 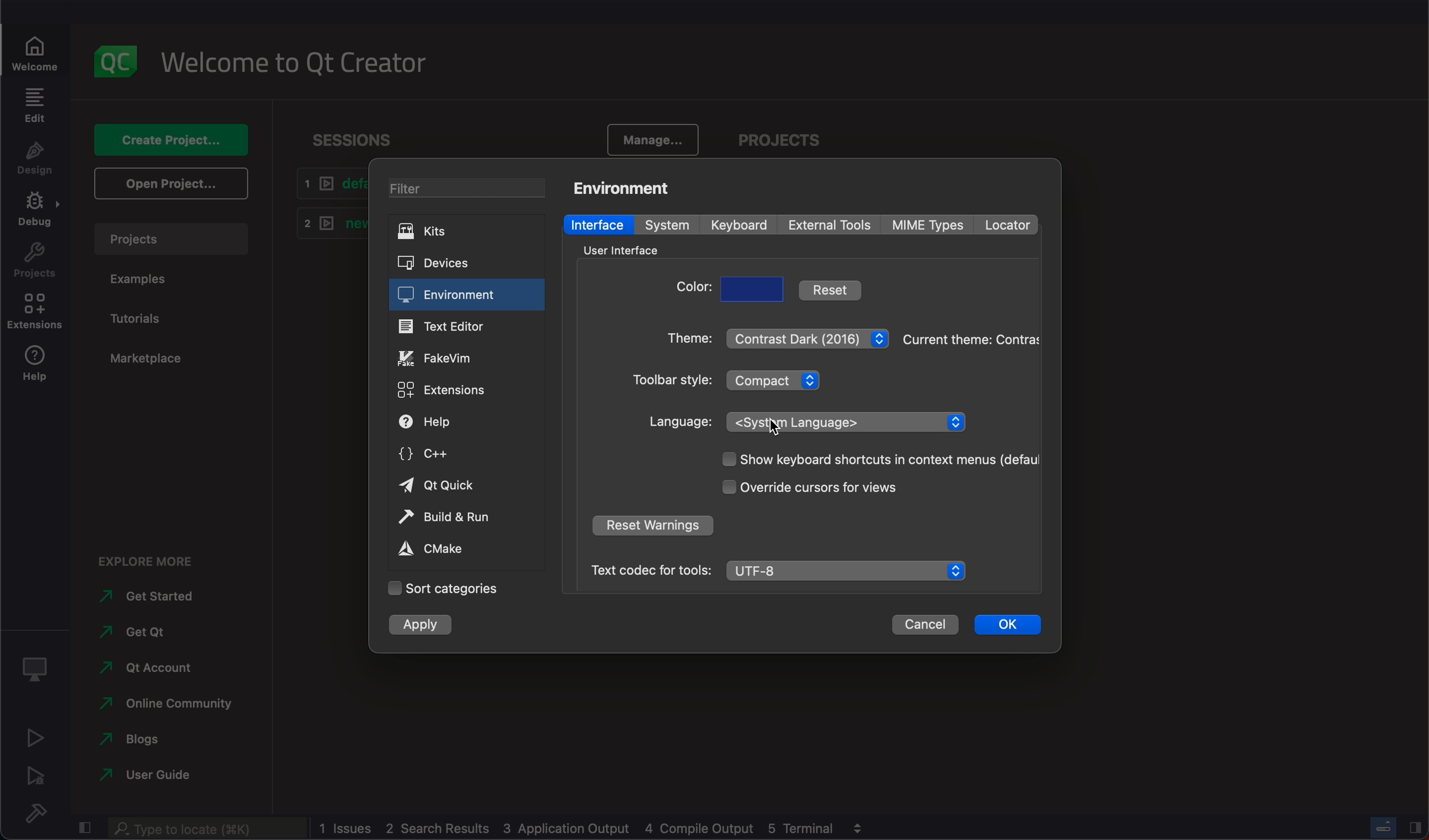 I want to click on progress bar, so click(x=1383, y=825).